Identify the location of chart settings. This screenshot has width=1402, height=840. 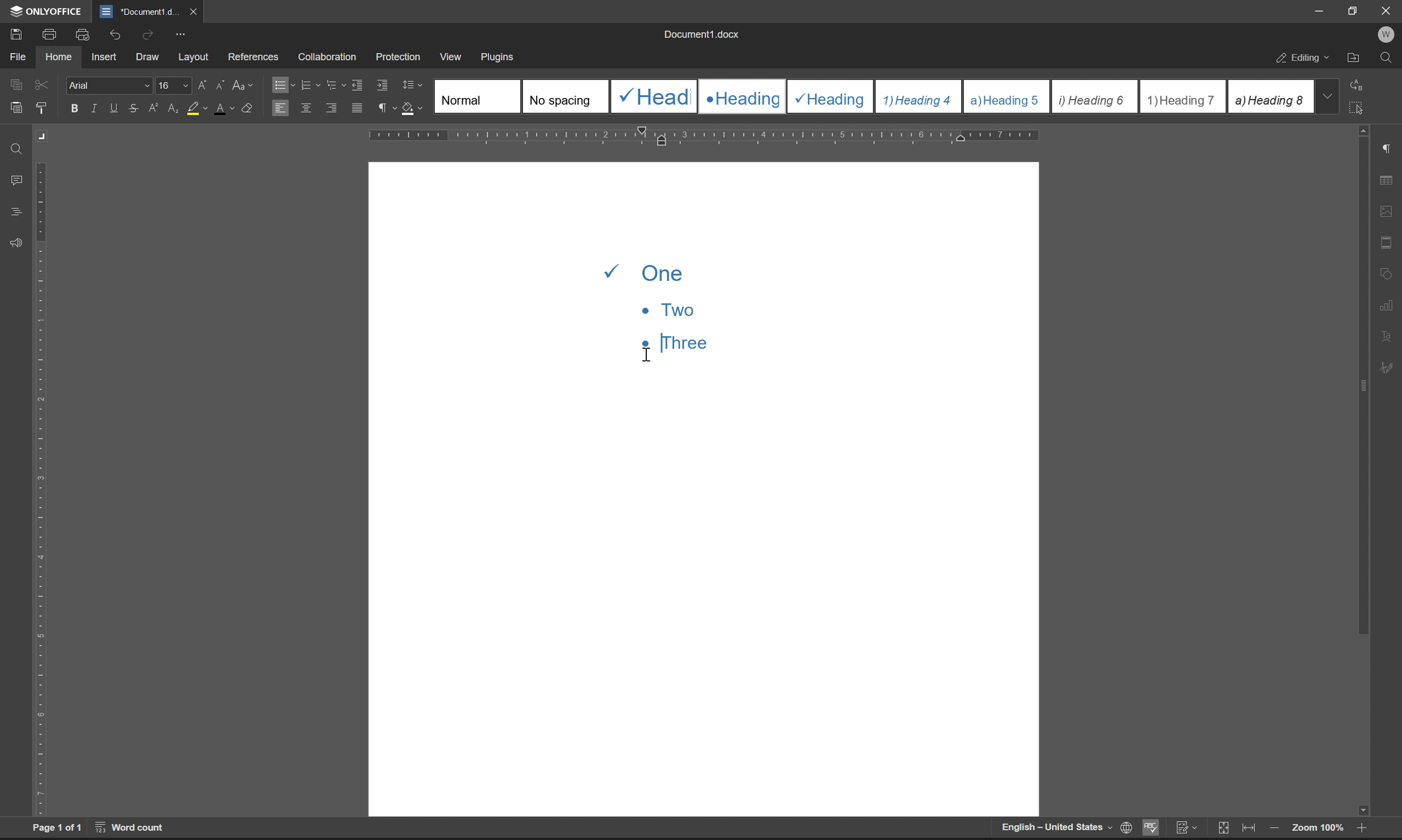
(1387, 302).